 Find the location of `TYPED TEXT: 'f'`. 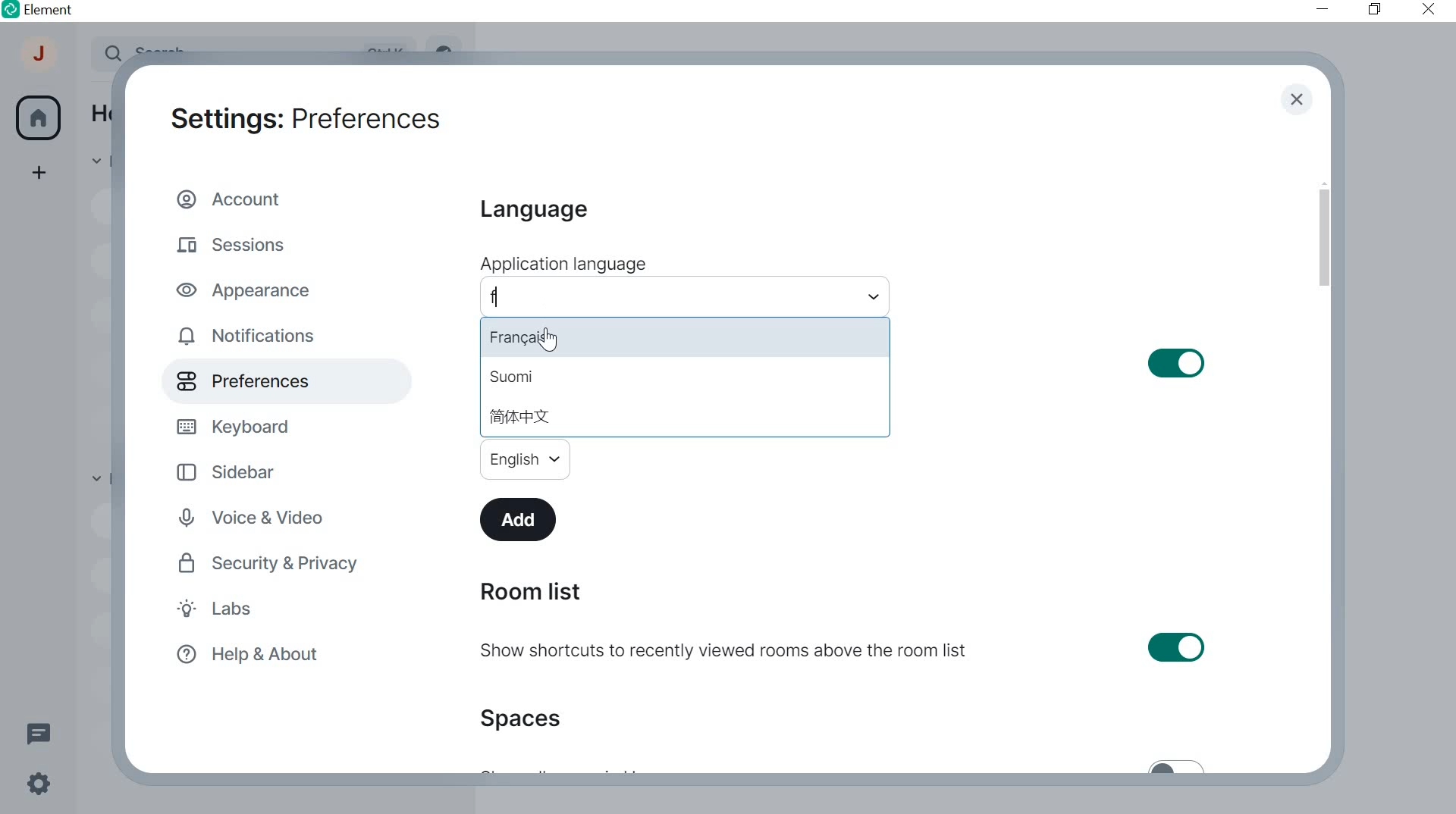

TYPED TEXT: 'f' is located at coordinates (496, 301).